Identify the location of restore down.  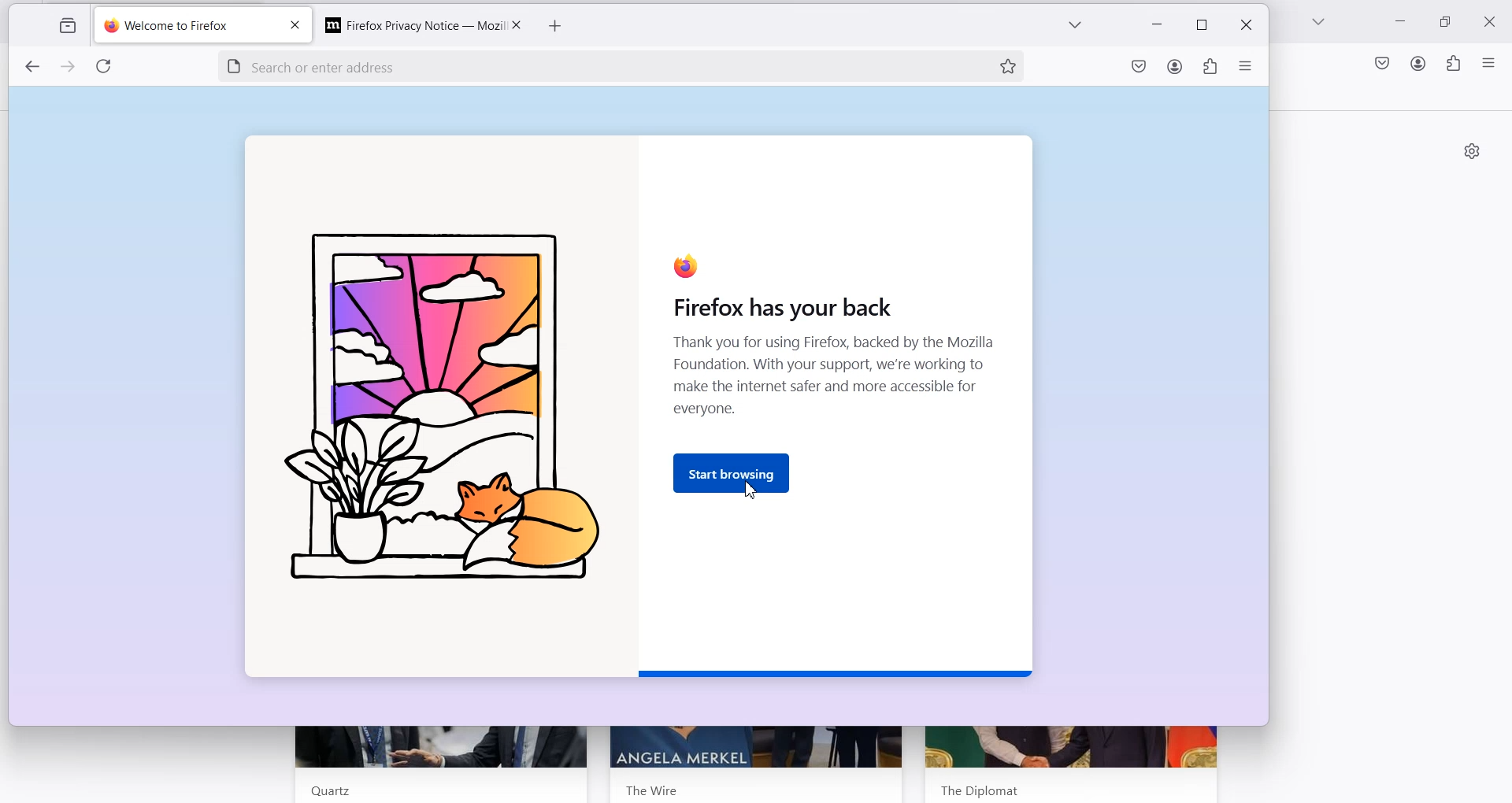
(1201, 25).